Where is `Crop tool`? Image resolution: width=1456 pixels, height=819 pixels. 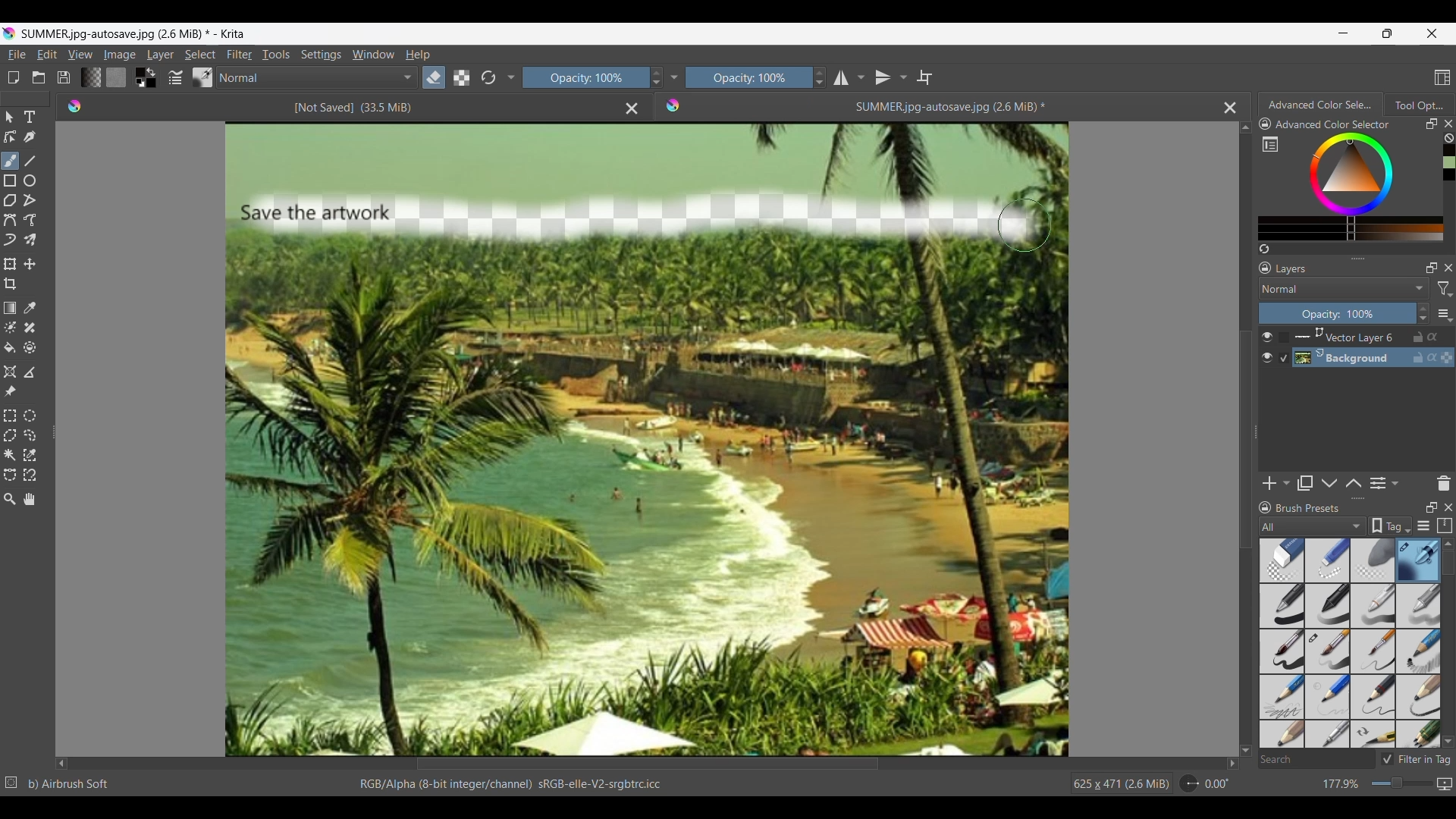
Crop tool is located at coordinates (11, 284).